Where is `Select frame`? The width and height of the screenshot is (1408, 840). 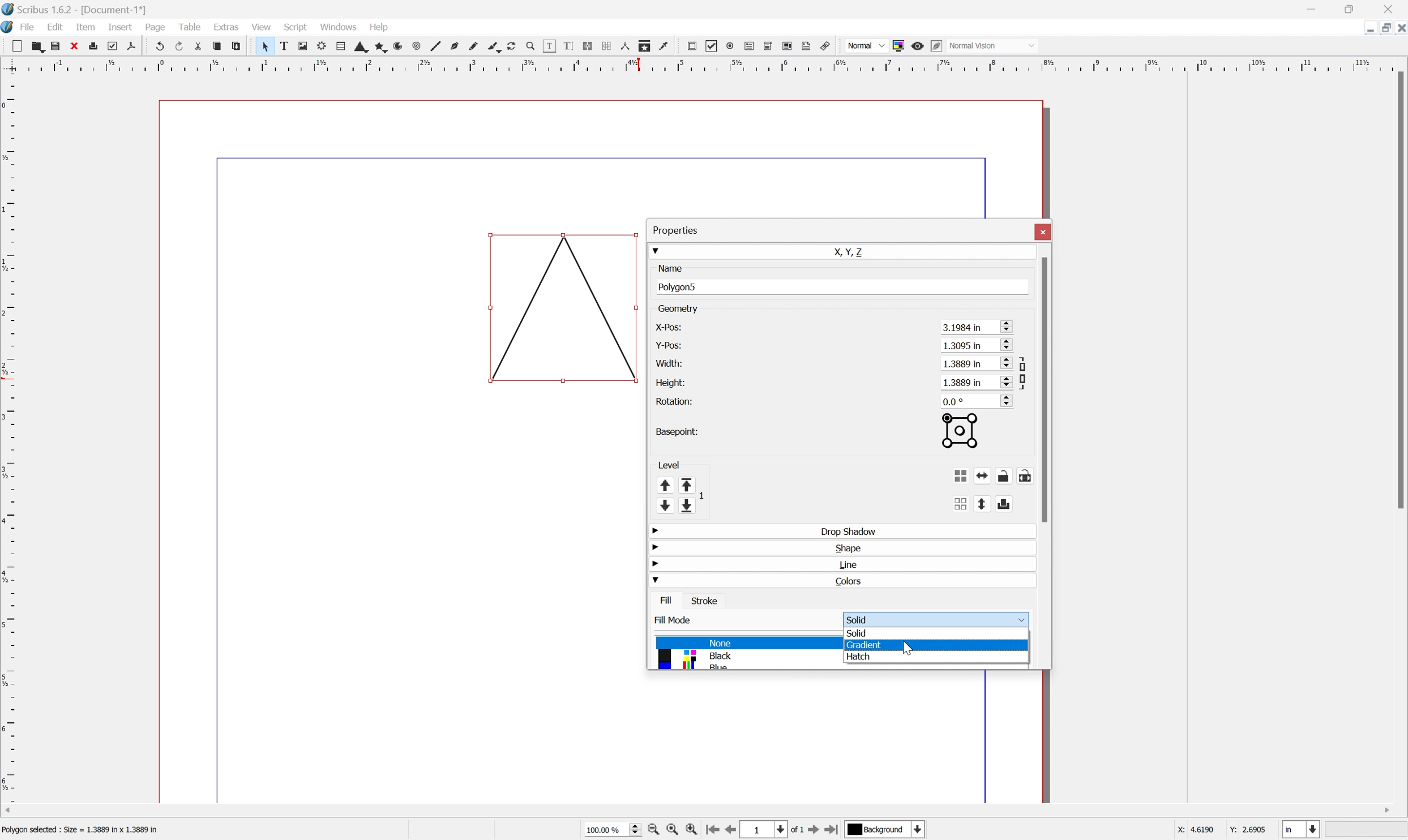
Select frame is located at coordinates (267, 48).